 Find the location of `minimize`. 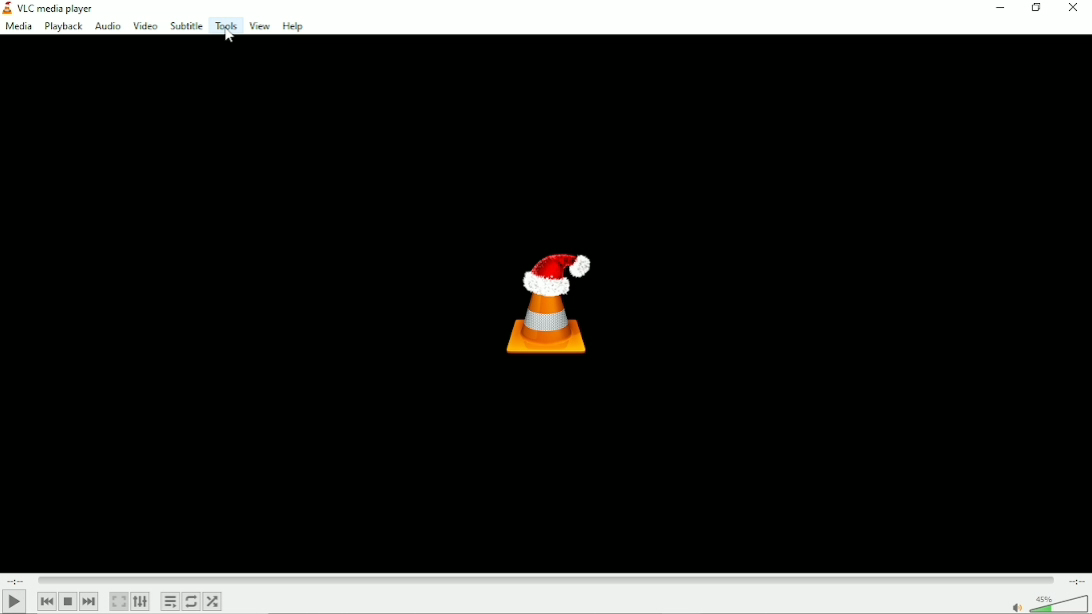

minimize is located at coordinates (997, 10).